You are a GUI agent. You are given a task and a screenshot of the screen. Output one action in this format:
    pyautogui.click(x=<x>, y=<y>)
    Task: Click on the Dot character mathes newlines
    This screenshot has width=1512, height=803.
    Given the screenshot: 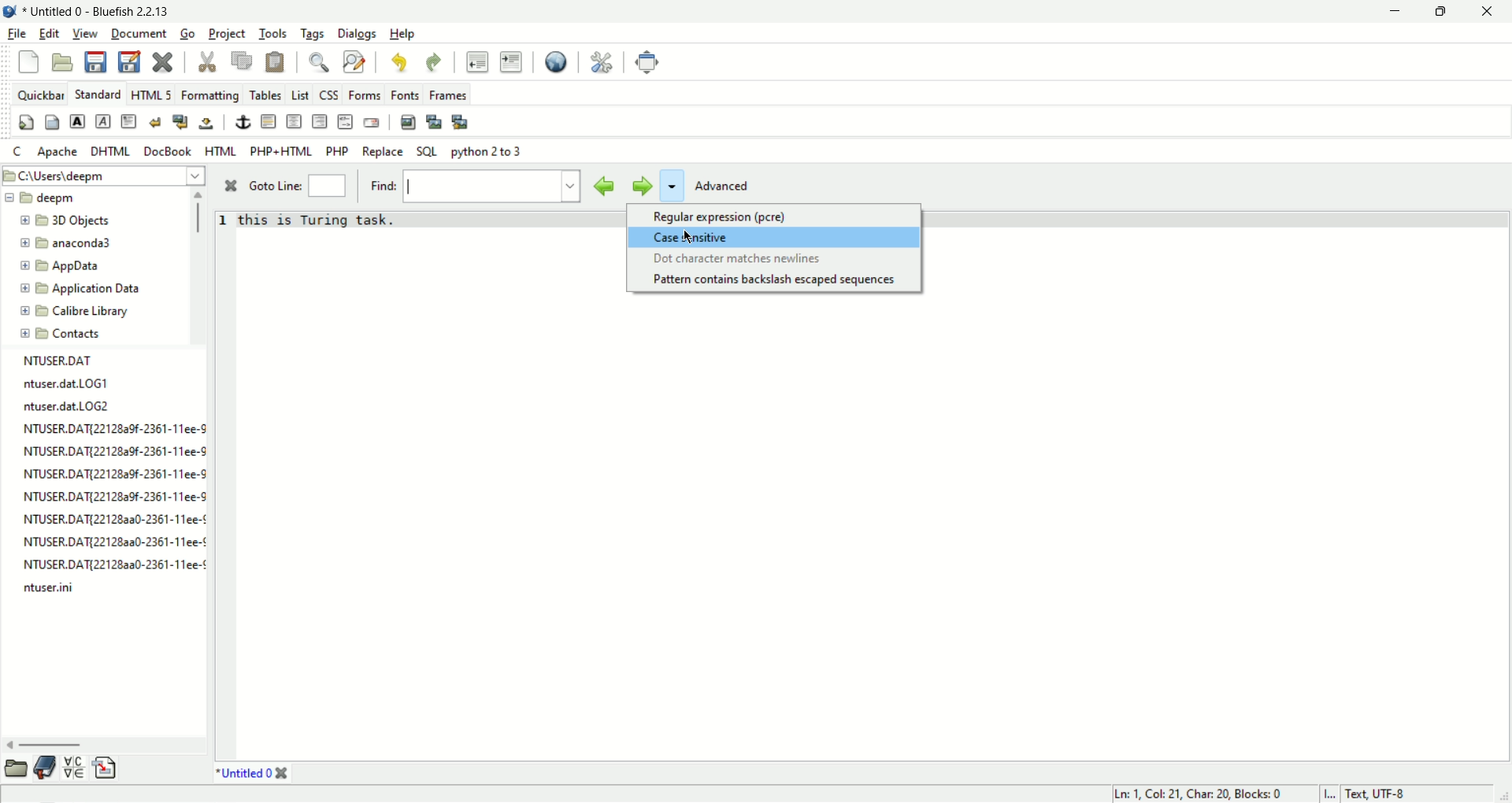 What is the action you would take?
    pyautogui.click(x=736, y=260)
    